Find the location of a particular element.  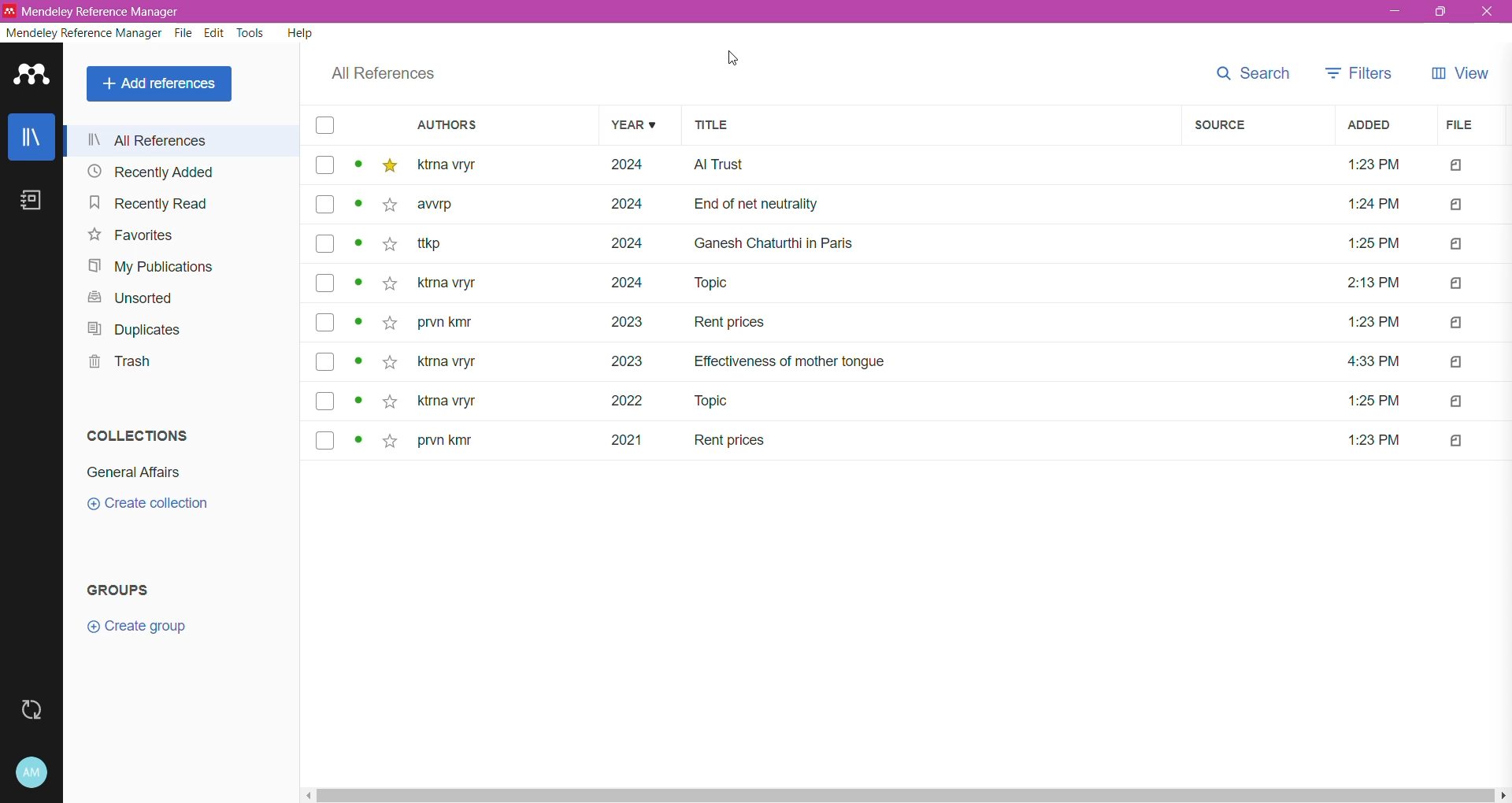

2021 is located at coordinates (628, 439).